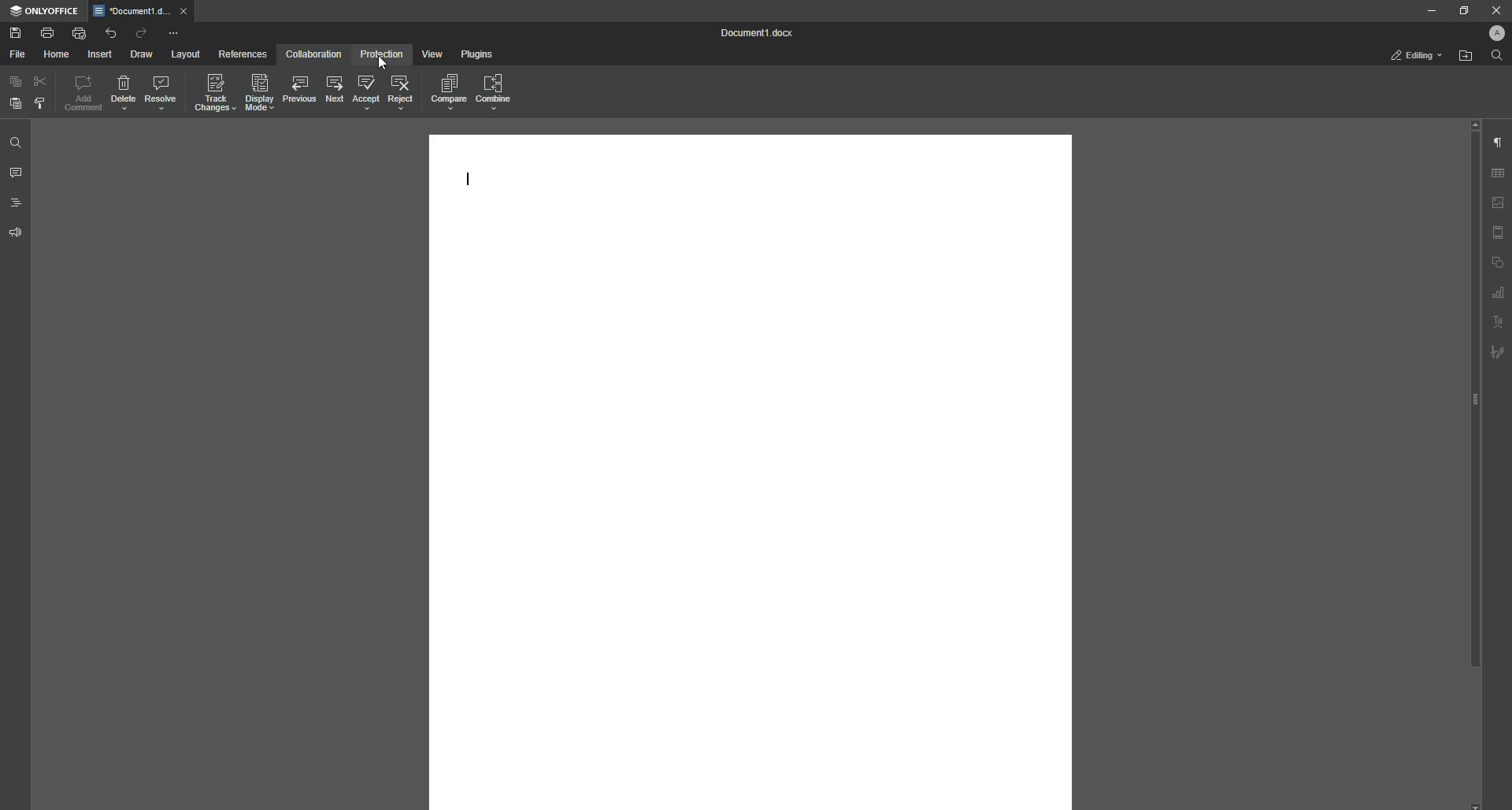 The image size is (1512, 810). Describe the element at coordinates (183, 54) in the screenshot. I see `Layout` at that location.